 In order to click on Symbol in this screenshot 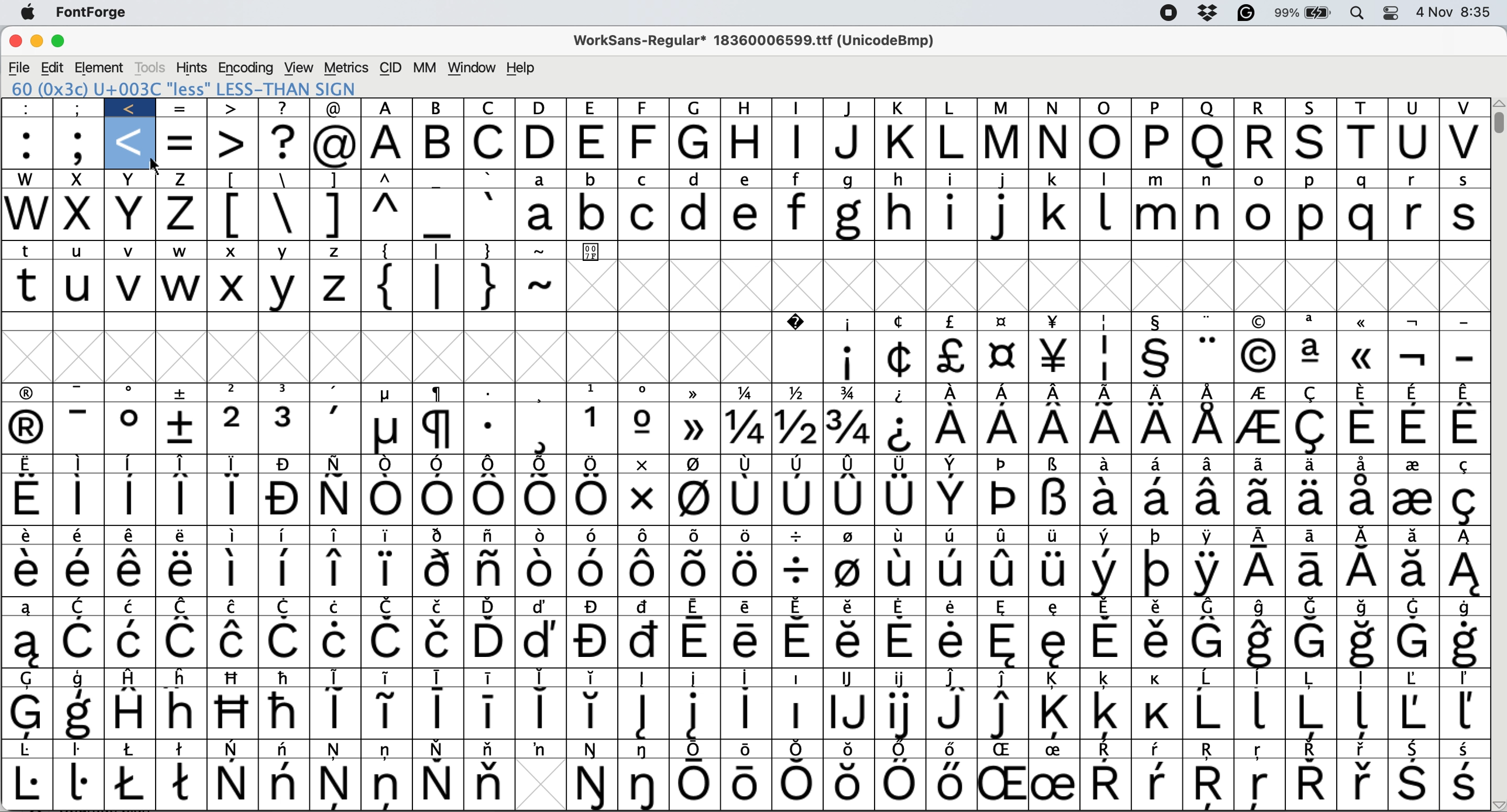, I will do `click(1260, 643)`.